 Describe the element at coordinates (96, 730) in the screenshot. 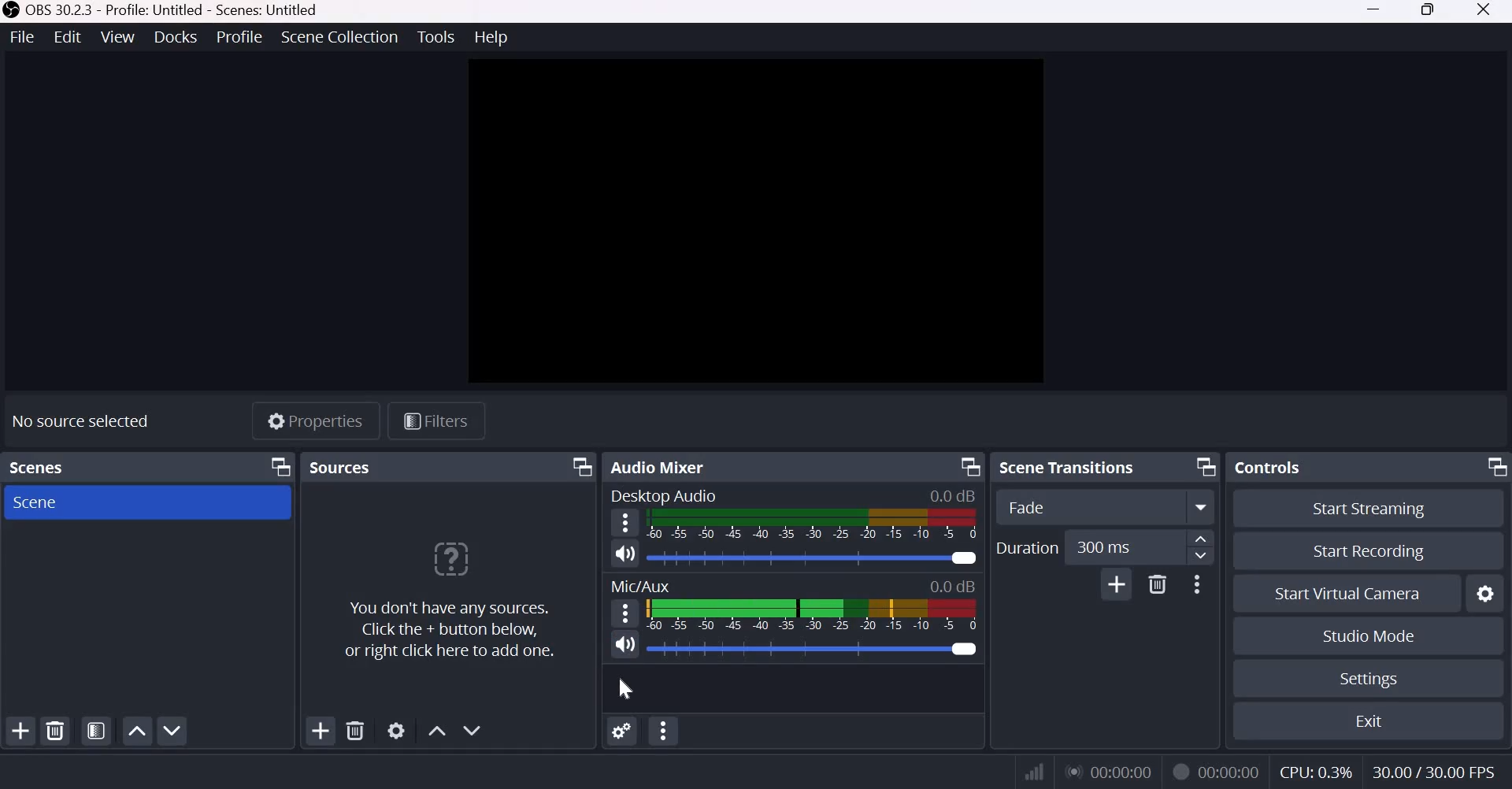

I see `Open scene filters` at that location.